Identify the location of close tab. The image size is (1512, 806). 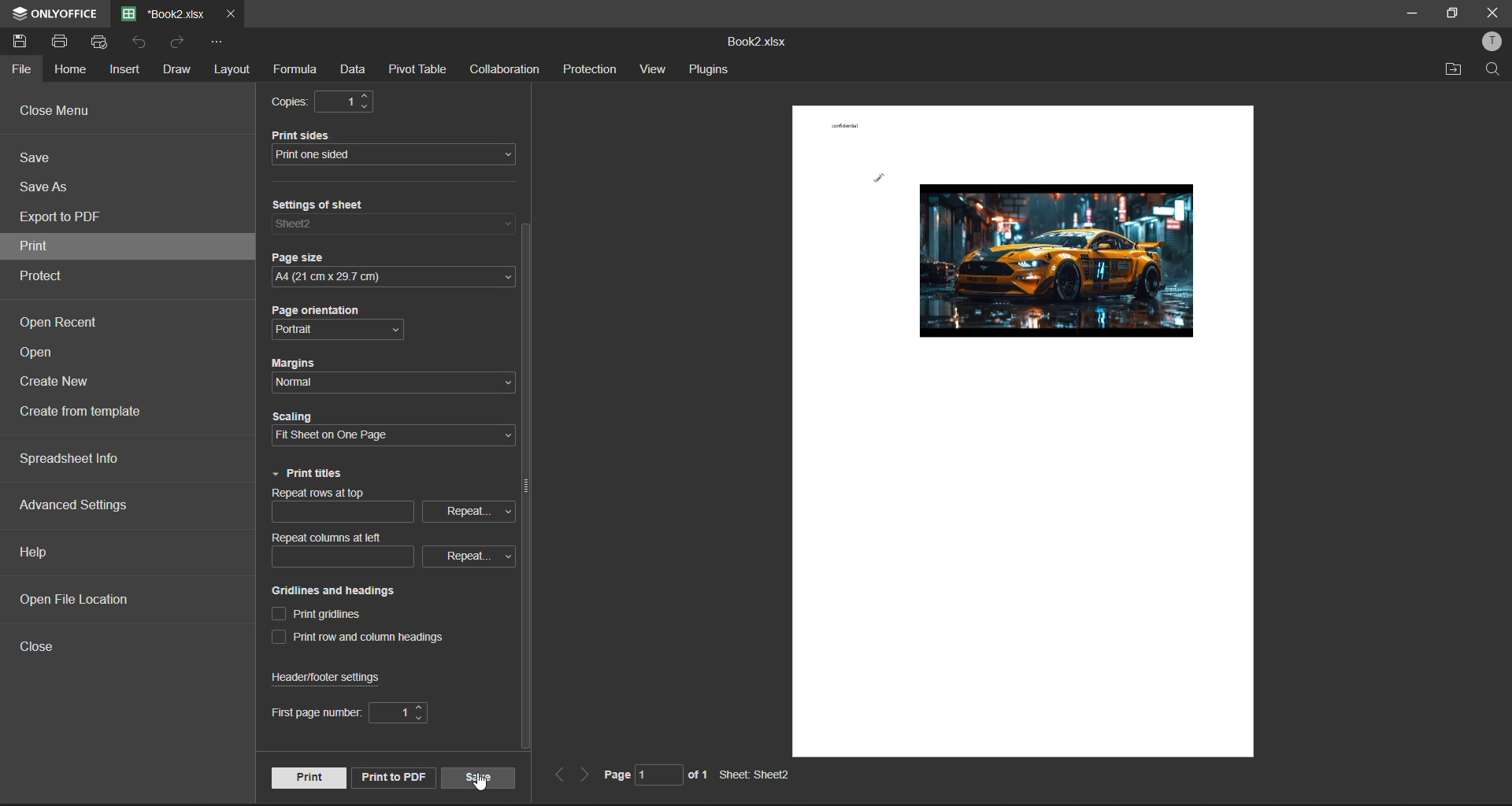
(229, 16).